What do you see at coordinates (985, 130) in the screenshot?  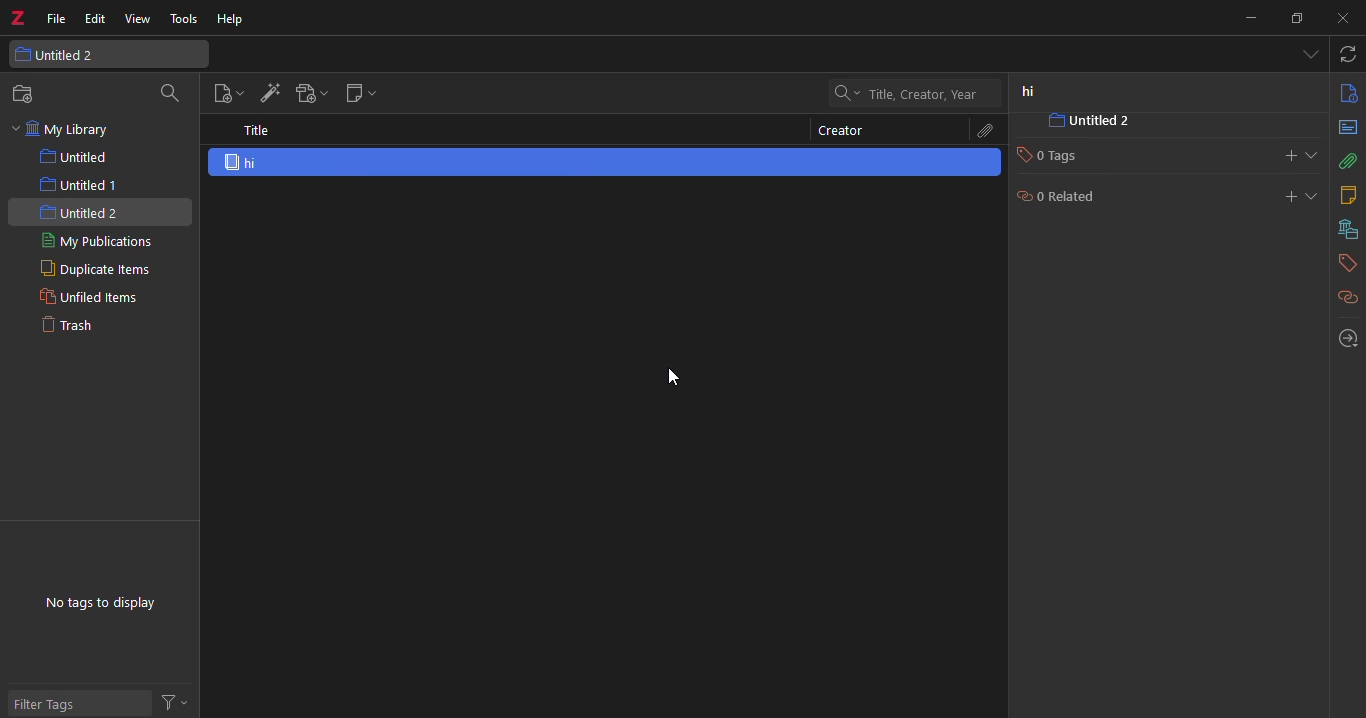 I see `attach` at bounding box center [985, 130].